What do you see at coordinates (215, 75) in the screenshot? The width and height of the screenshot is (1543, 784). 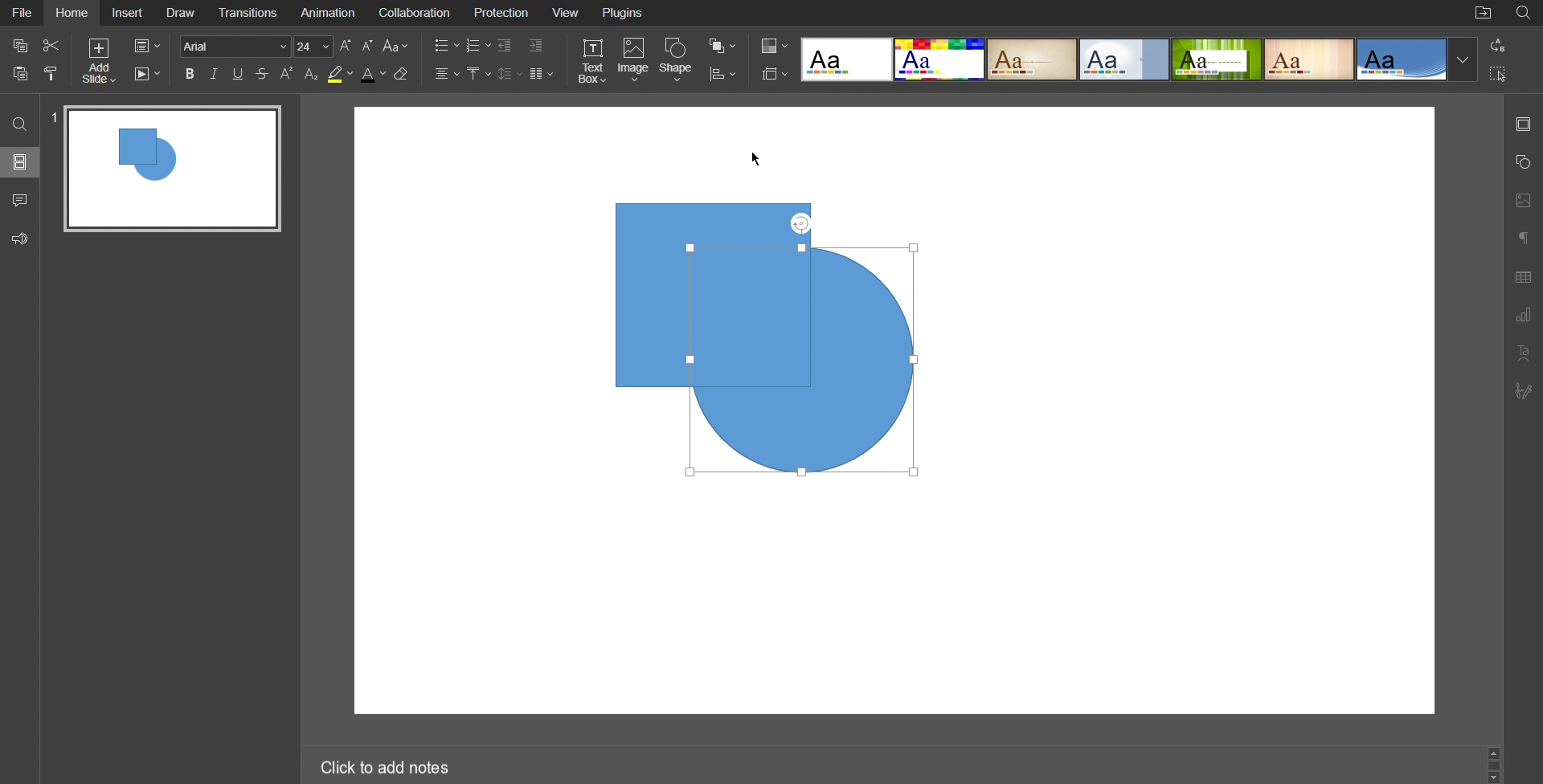 I see `Italic` at bounding box center [215, 75].